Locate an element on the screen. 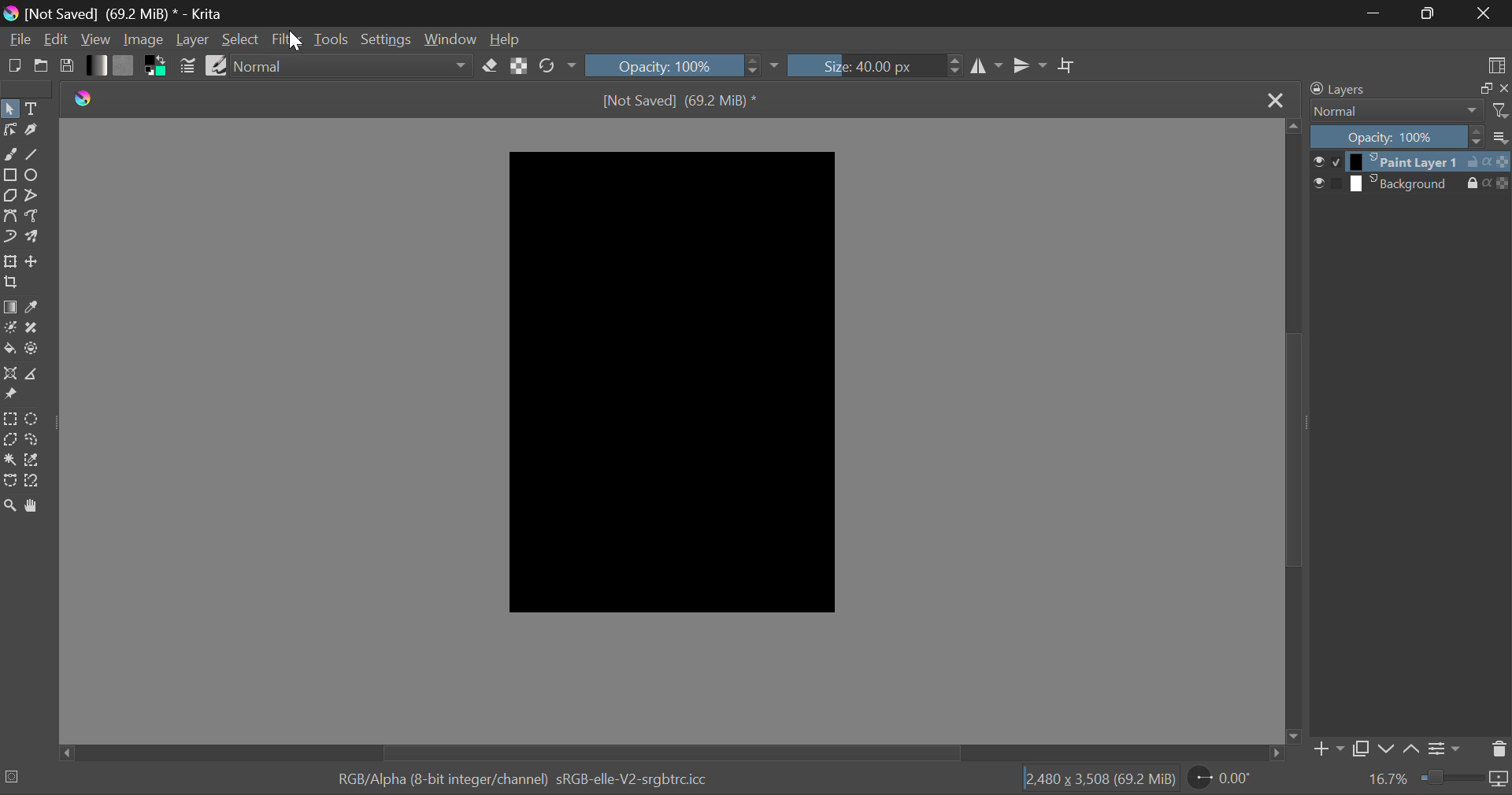 The image size is (1512, 795). Settings is located at coordinates (1443, 748).